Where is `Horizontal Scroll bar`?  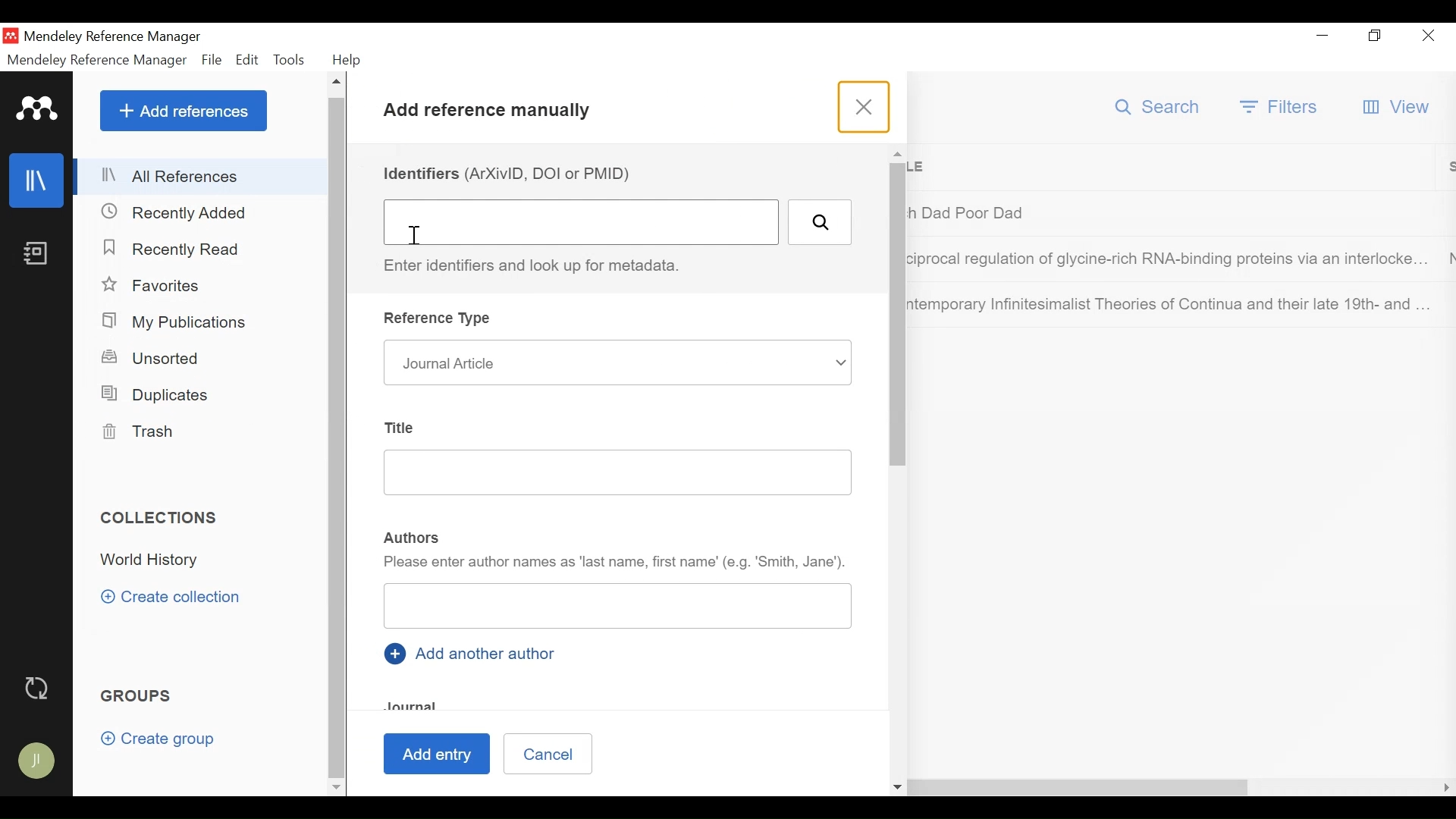
Horizontal Scroll bar is located at coordinates (814, 787).